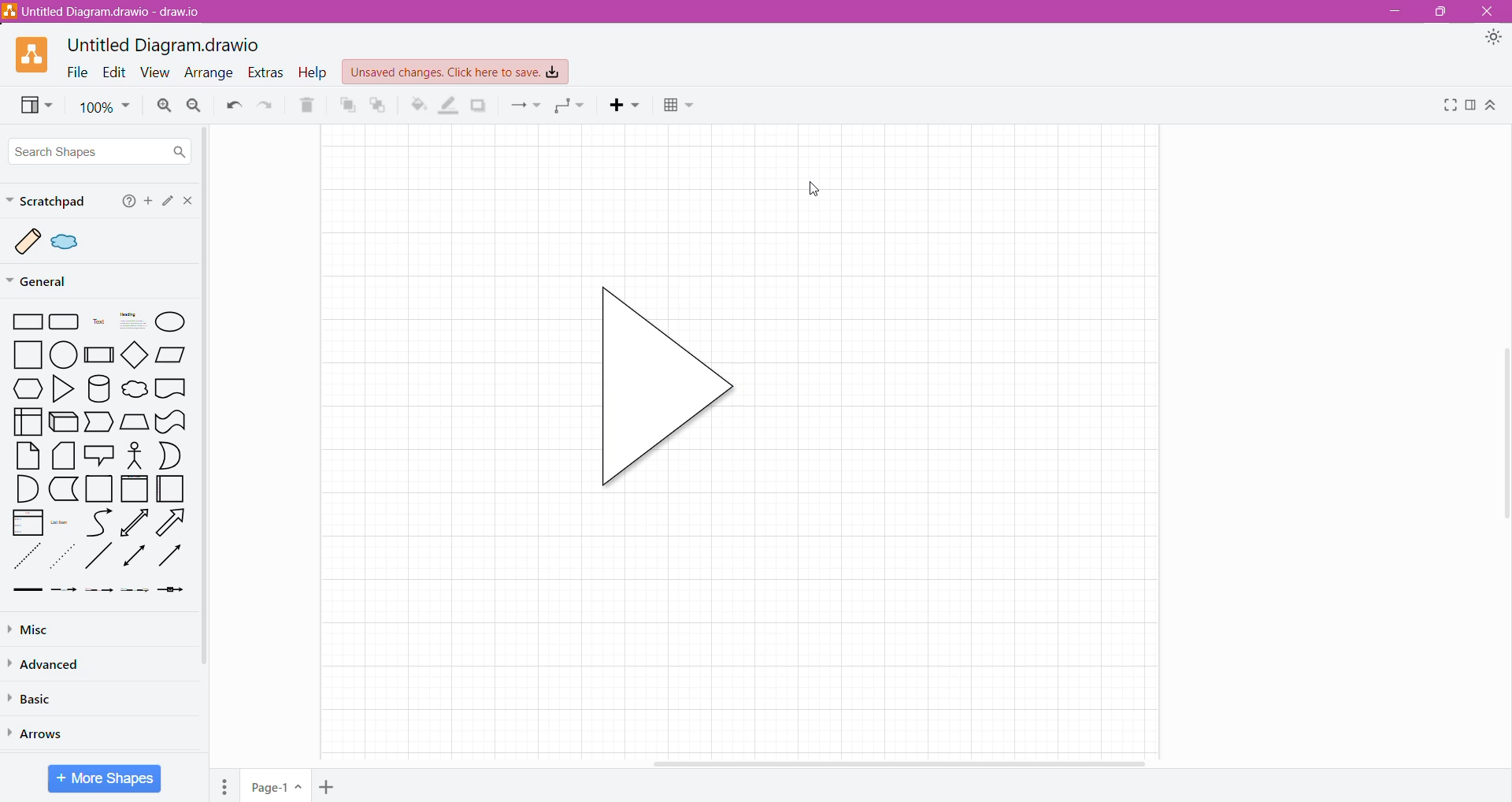 This screenshot has height=802, width=1512. I want to click on Restore Down, so click(1441, 12).